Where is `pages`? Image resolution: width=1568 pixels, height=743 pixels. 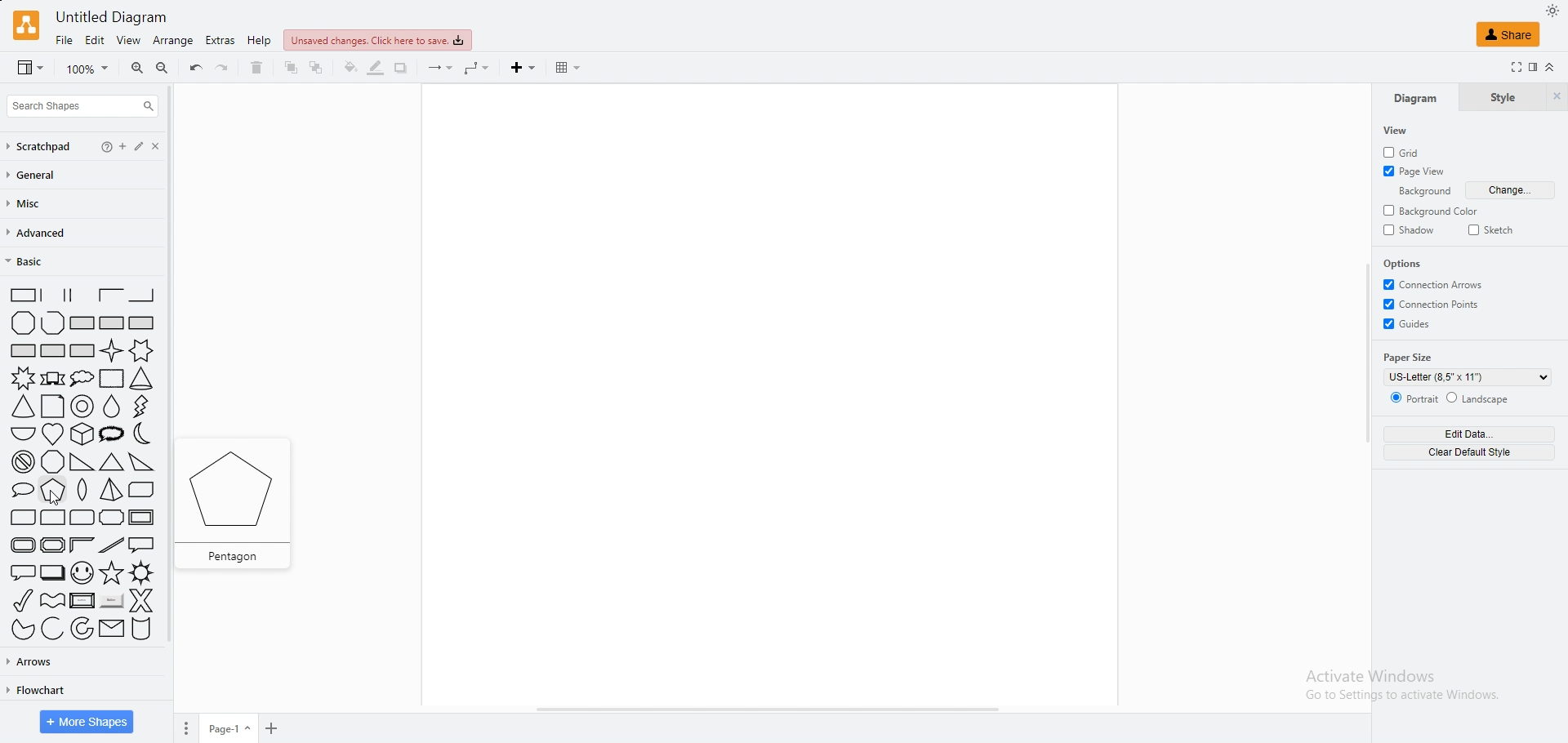
pages is located at coordinates (185, 728).